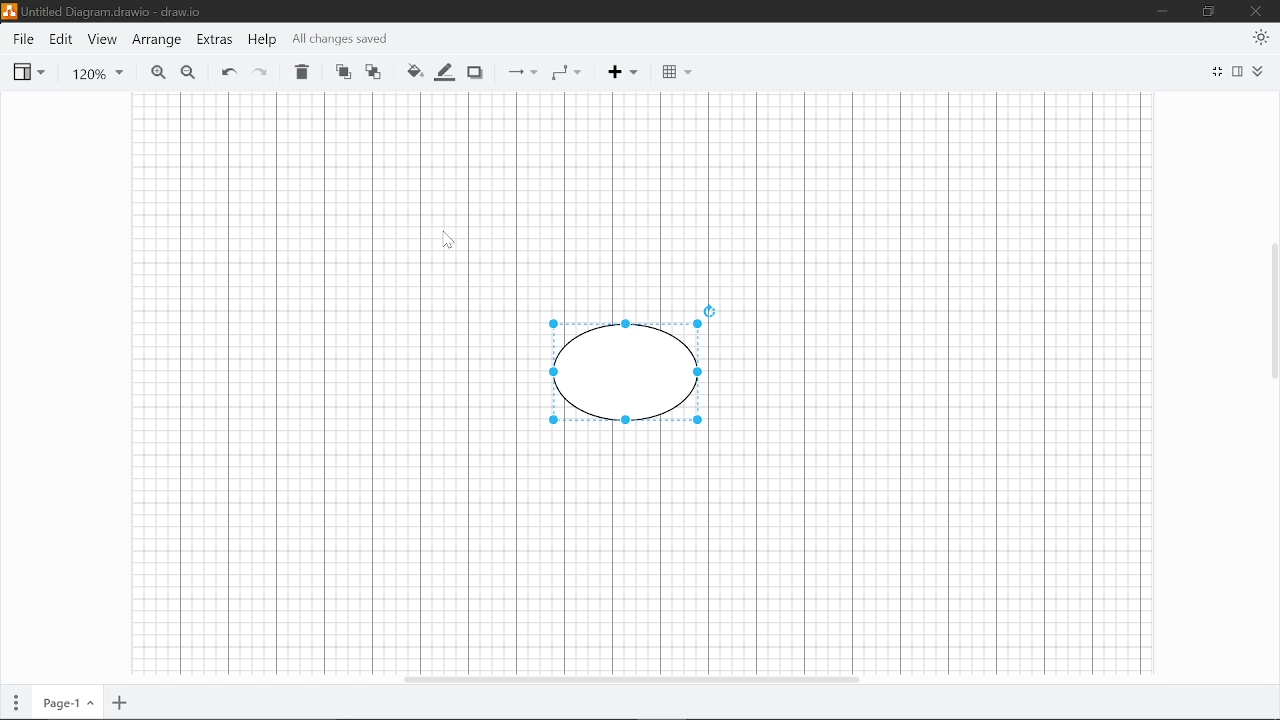 The image size is (1280, 720). What do you see at coordinates (89, 72) in the screenshot?
I see `Current zoom` at bounding box center [89, 72].